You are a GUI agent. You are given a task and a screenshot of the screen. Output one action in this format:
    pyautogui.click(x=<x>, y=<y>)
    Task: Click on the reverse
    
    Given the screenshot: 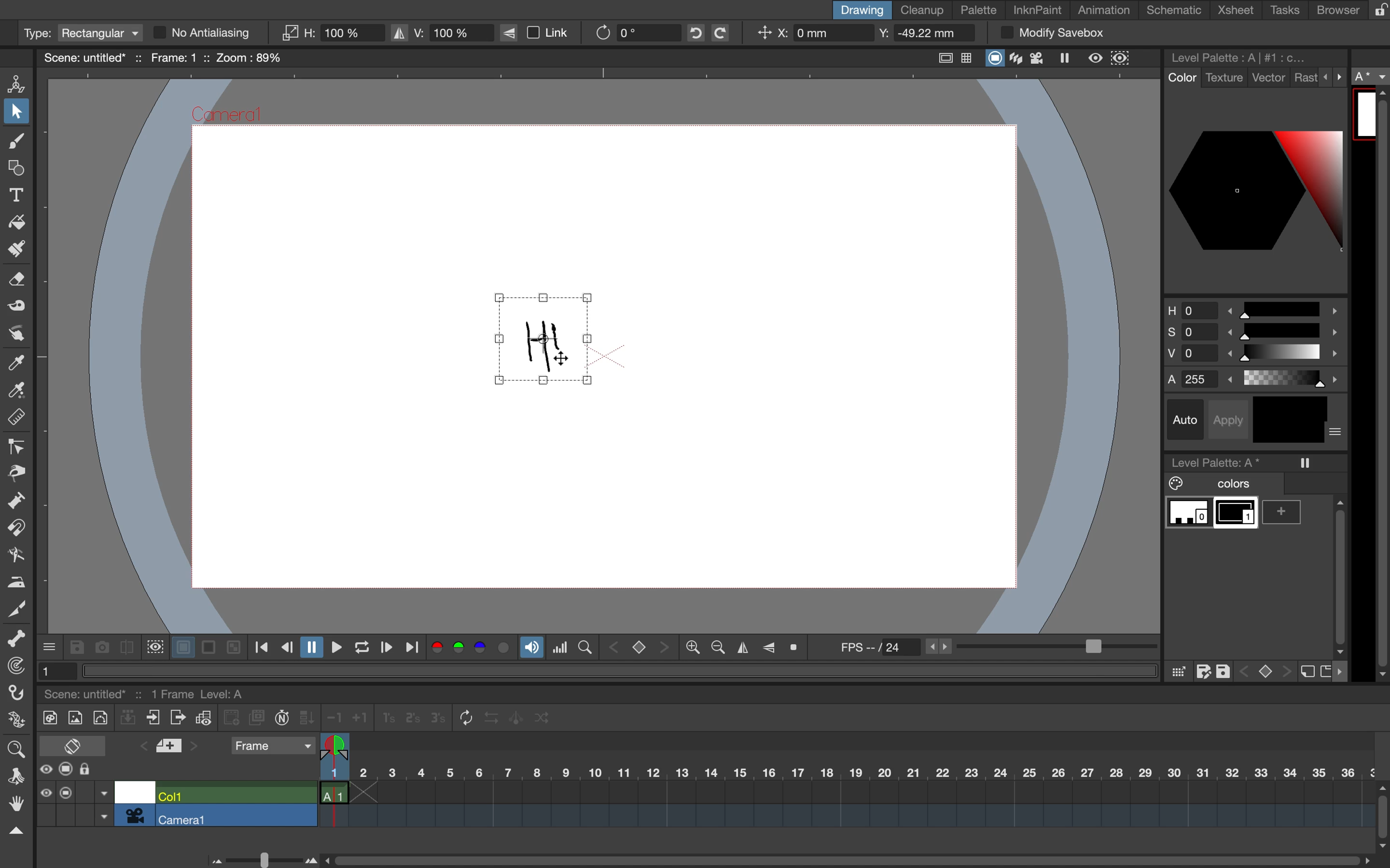 What is the action you would take?
    pyautogui.click(x=491, y=718)
    